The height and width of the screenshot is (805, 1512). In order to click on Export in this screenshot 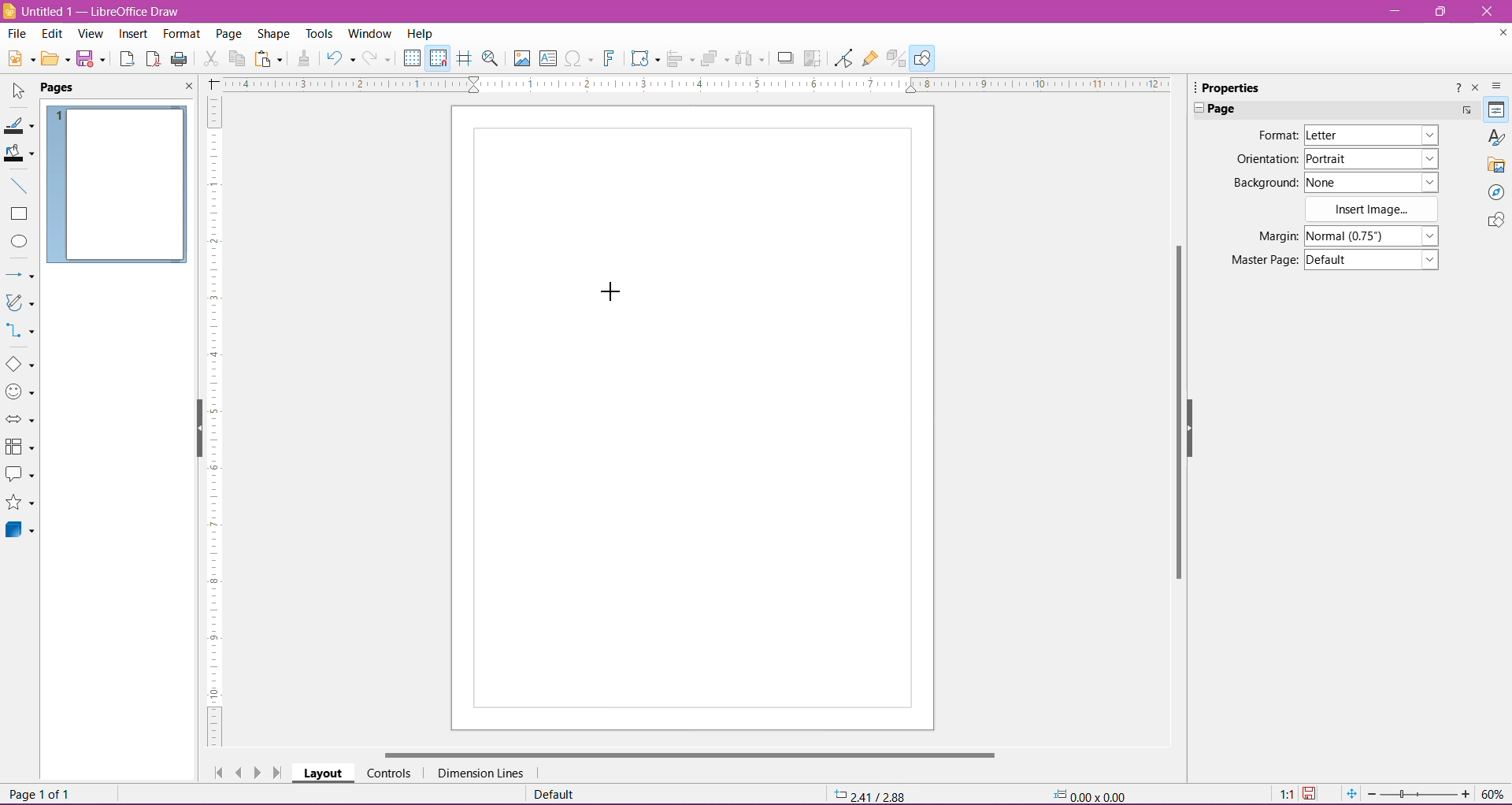, I will do `click(127, 60)`.